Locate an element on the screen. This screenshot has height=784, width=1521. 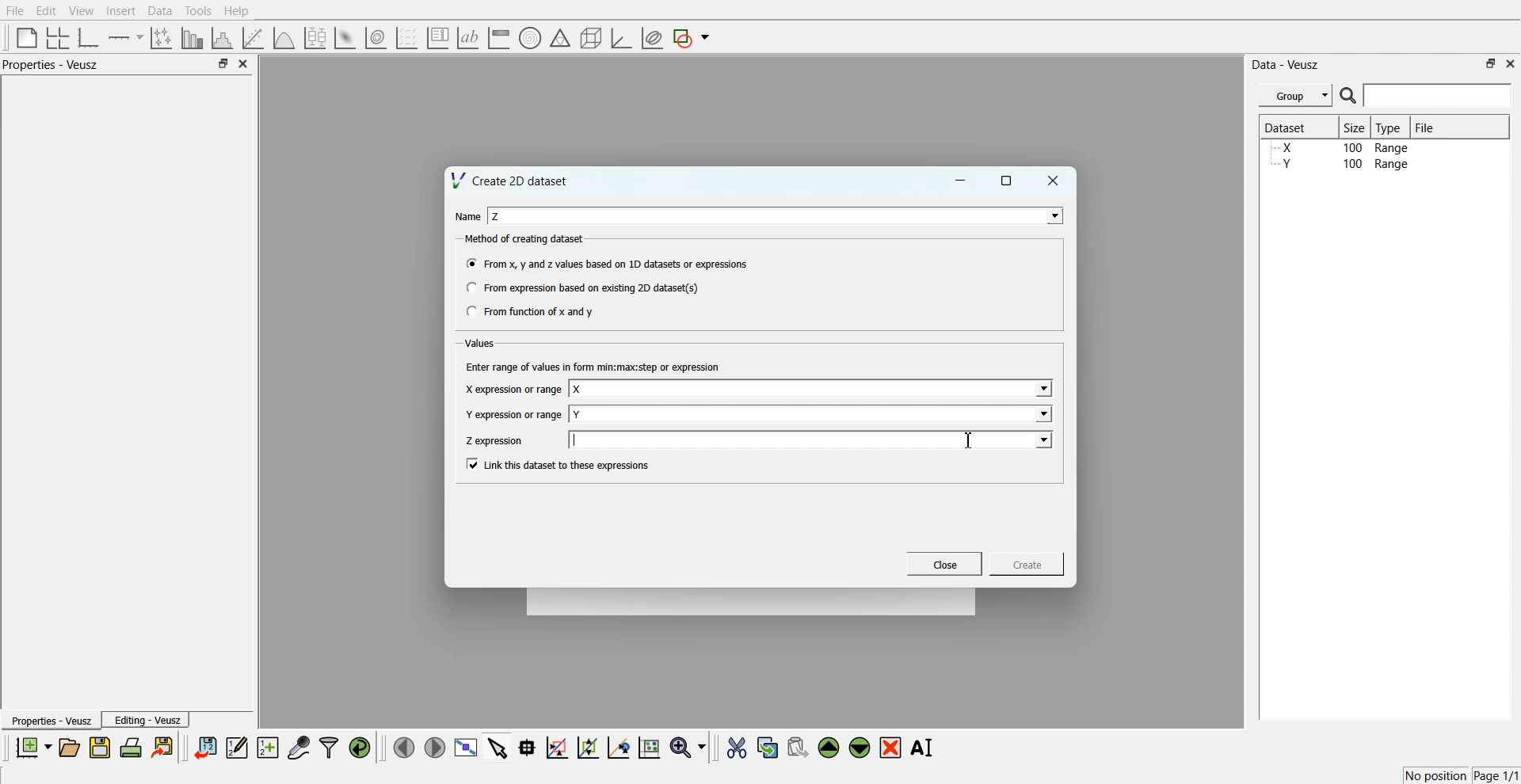
V/ Create 2D dataset is located at coordinates (511, 180).